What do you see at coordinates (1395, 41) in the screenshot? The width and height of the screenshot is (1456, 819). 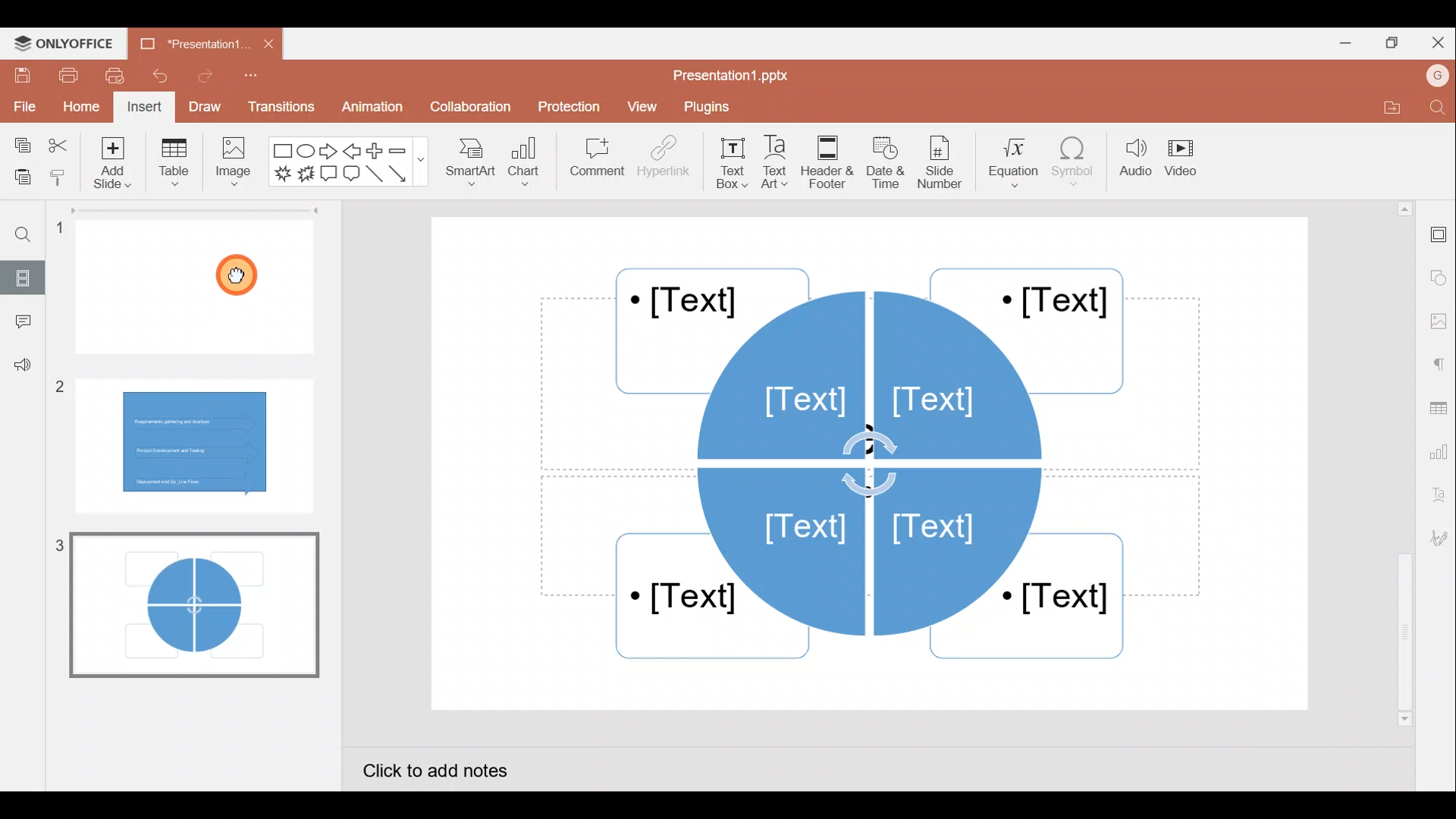 I see `Maximize` at bounding box center [1395, 41].